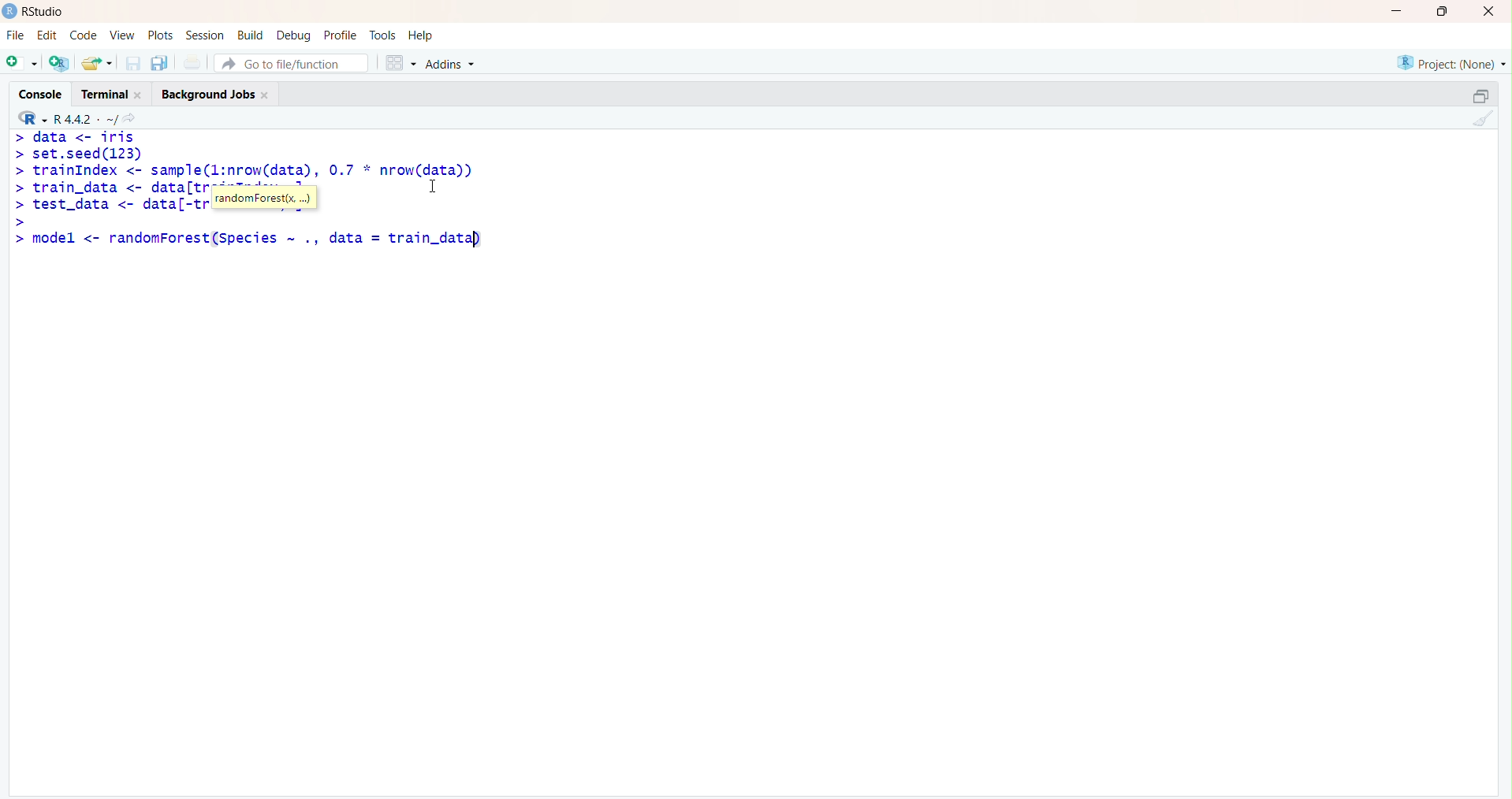  I want to click on set.seed(ls3)
trainIndex <- sample(l:nrow(data), 0.7 * nrow(data))
train_data <- data[trainIndex, ] I
test_data <- data[-trainIndex, ]

|, so click(260, 180).